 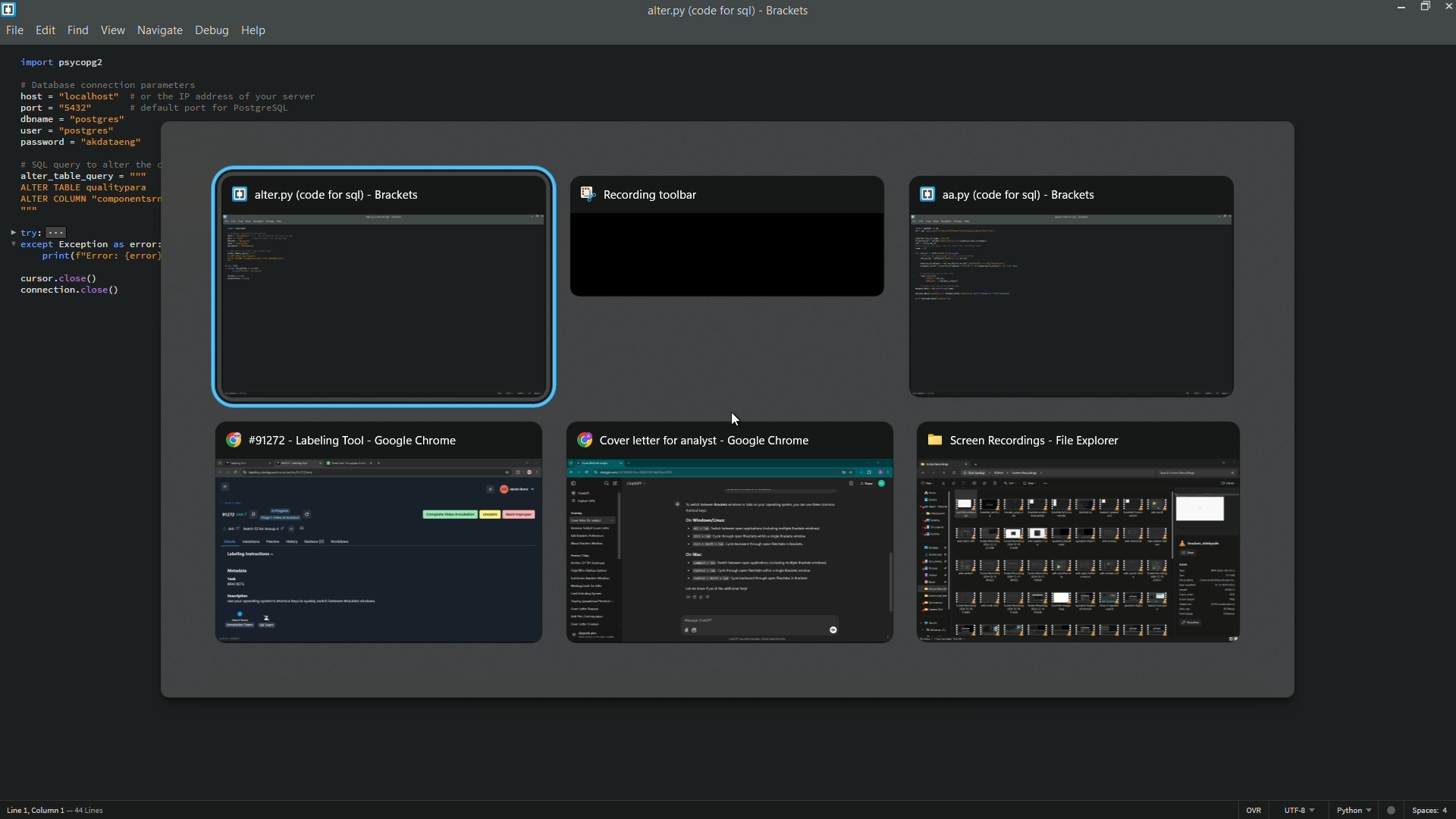 I want to click on navigate menu, so click(x=157, y=30).